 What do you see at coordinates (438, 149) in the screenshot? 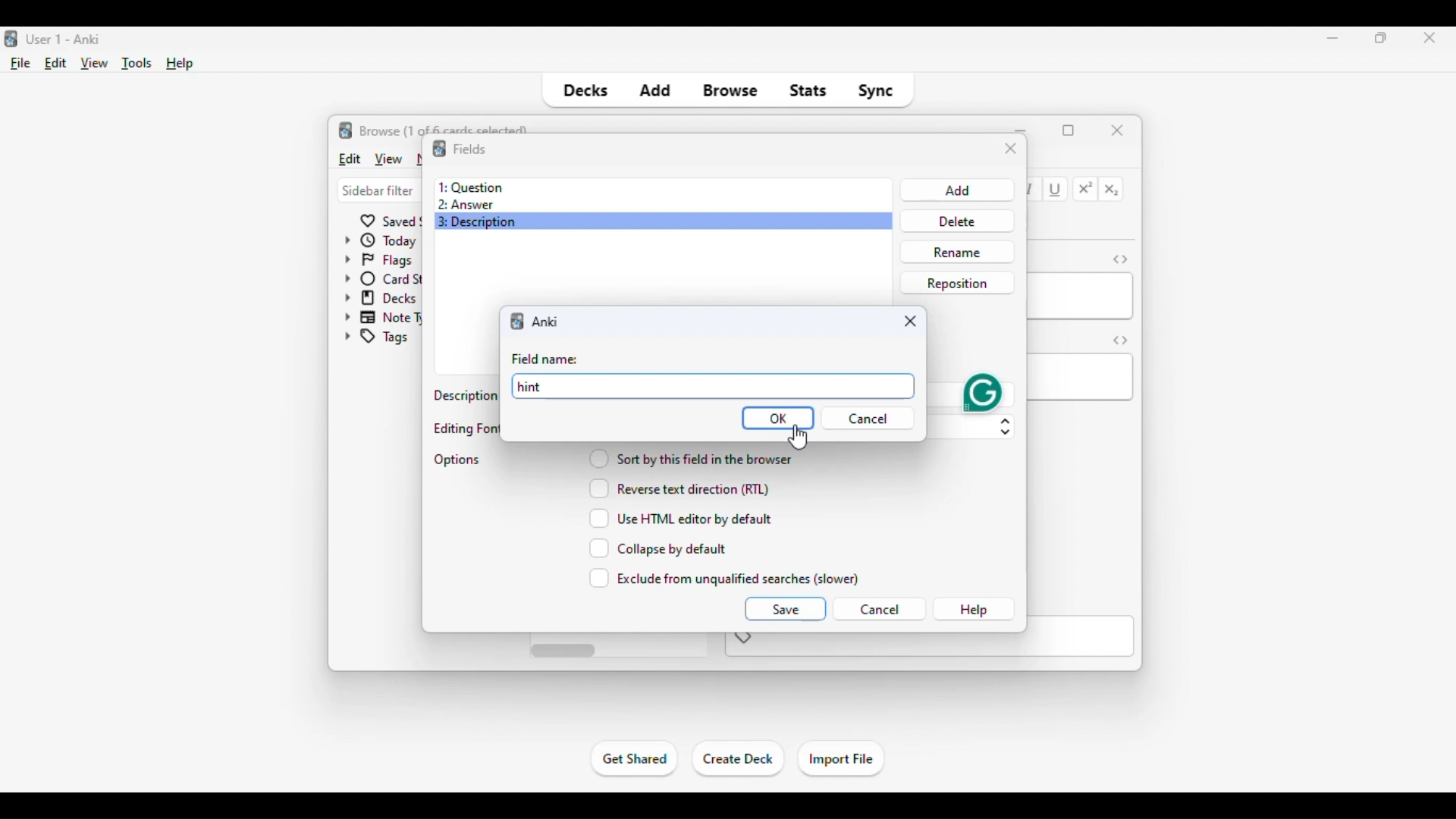
I see `logo` at bounding box center [438, 149].